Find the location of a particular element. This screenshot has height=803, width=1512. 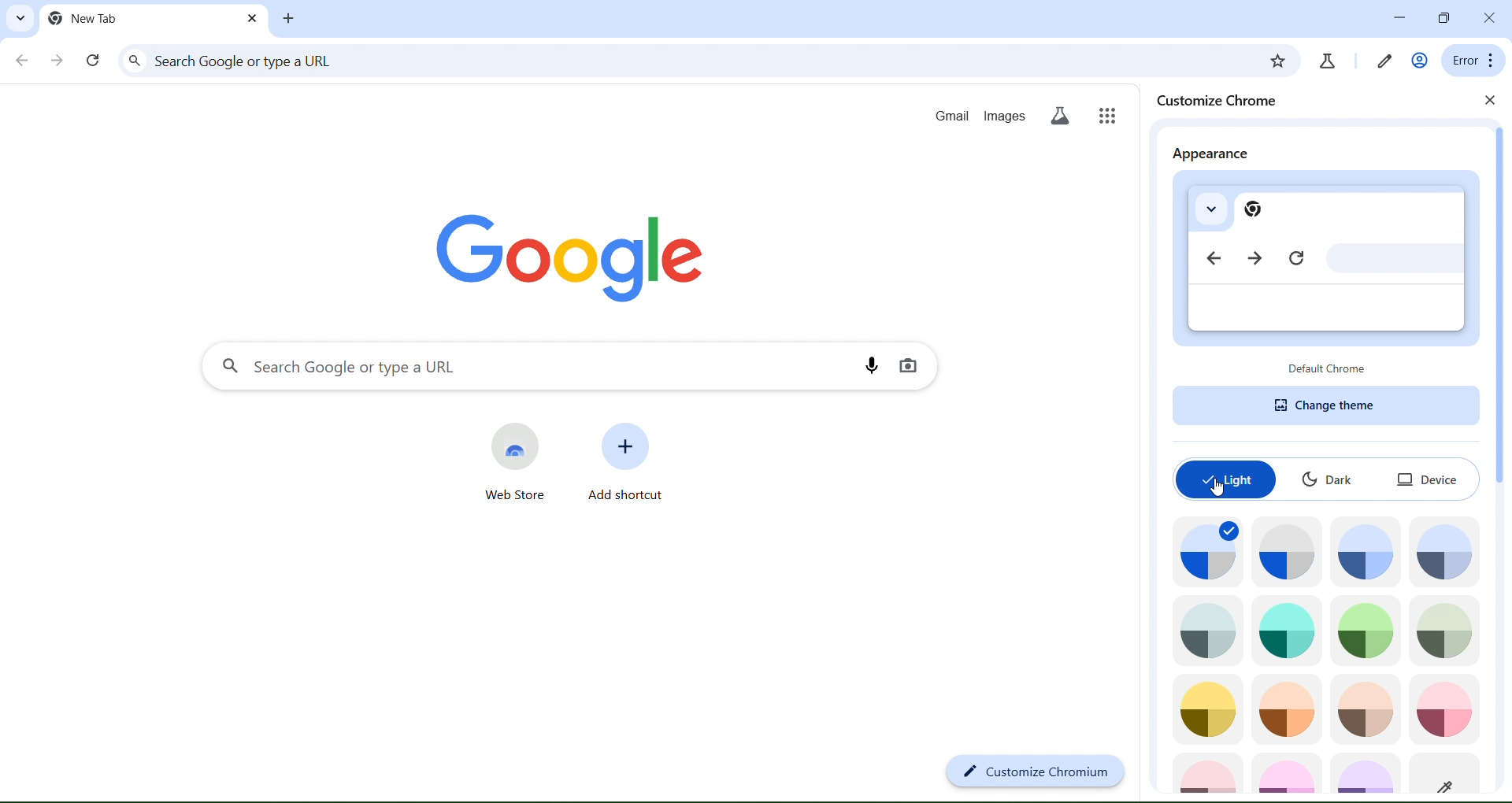

image is located at coordinates (1206, 708).